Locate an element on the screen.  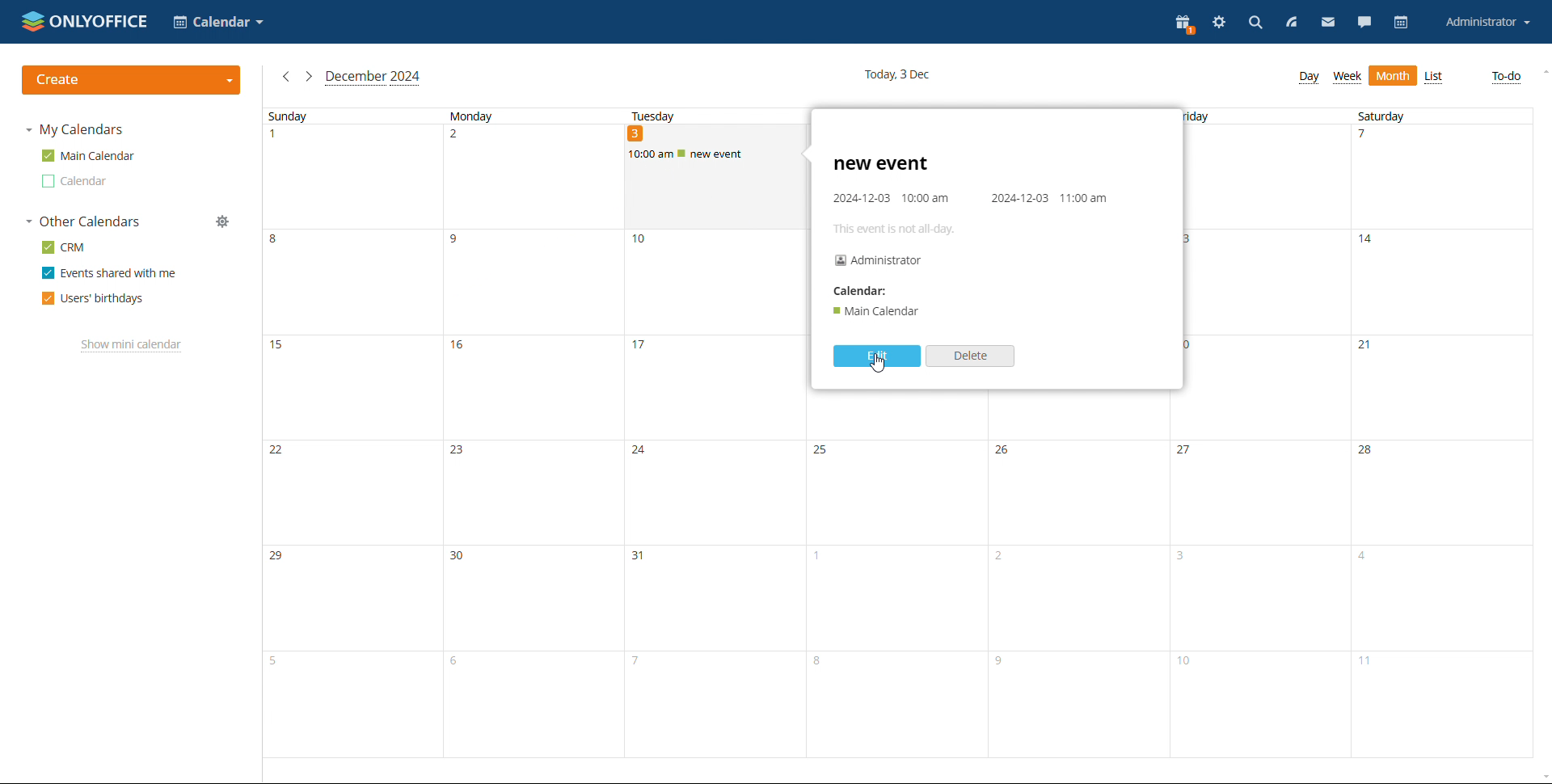
19 is located at coordinates (1081, 415).